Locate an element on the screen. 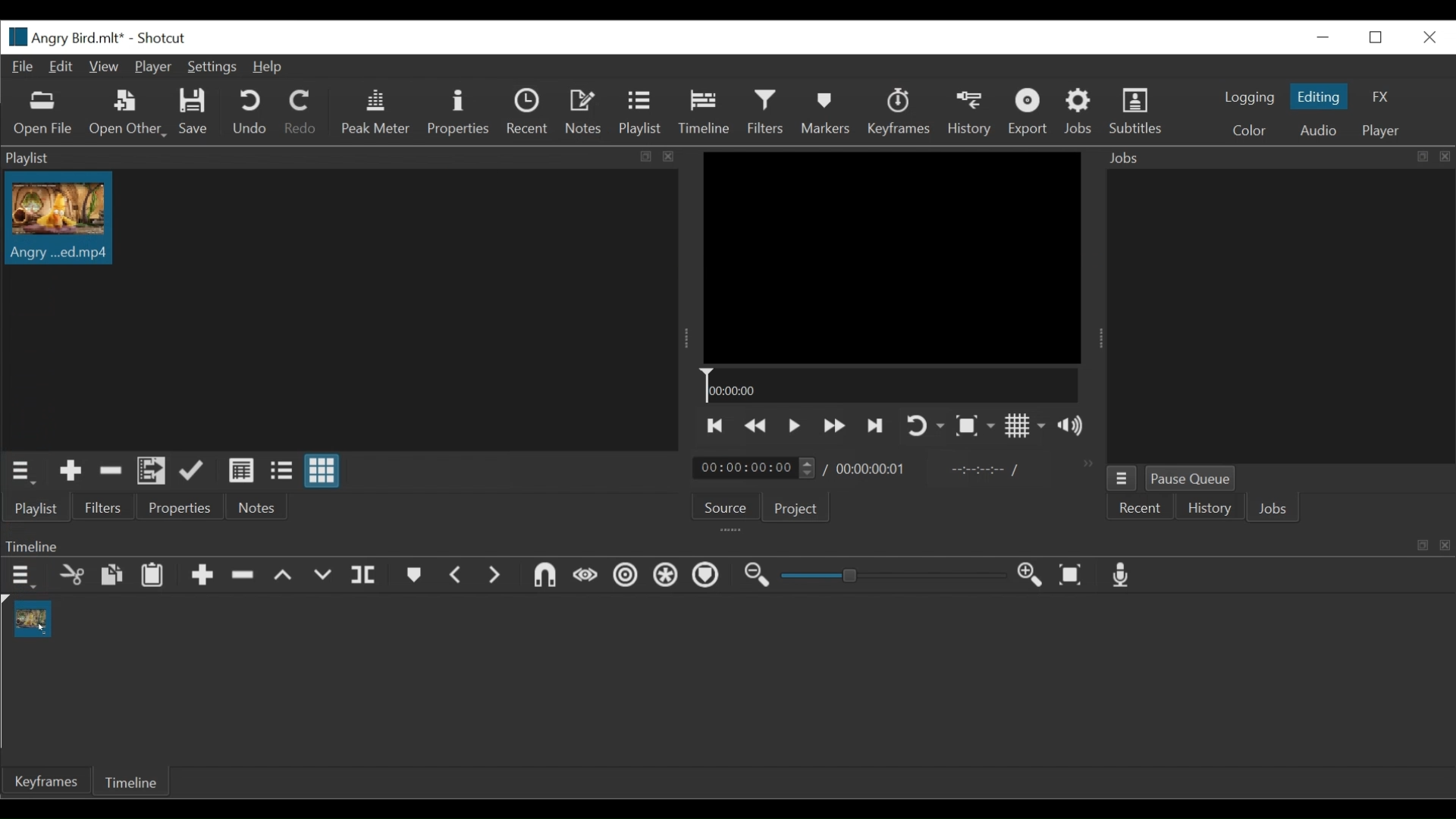 This screenshot has height=819, width=1456. Export is located at coordinates (1029, 113).